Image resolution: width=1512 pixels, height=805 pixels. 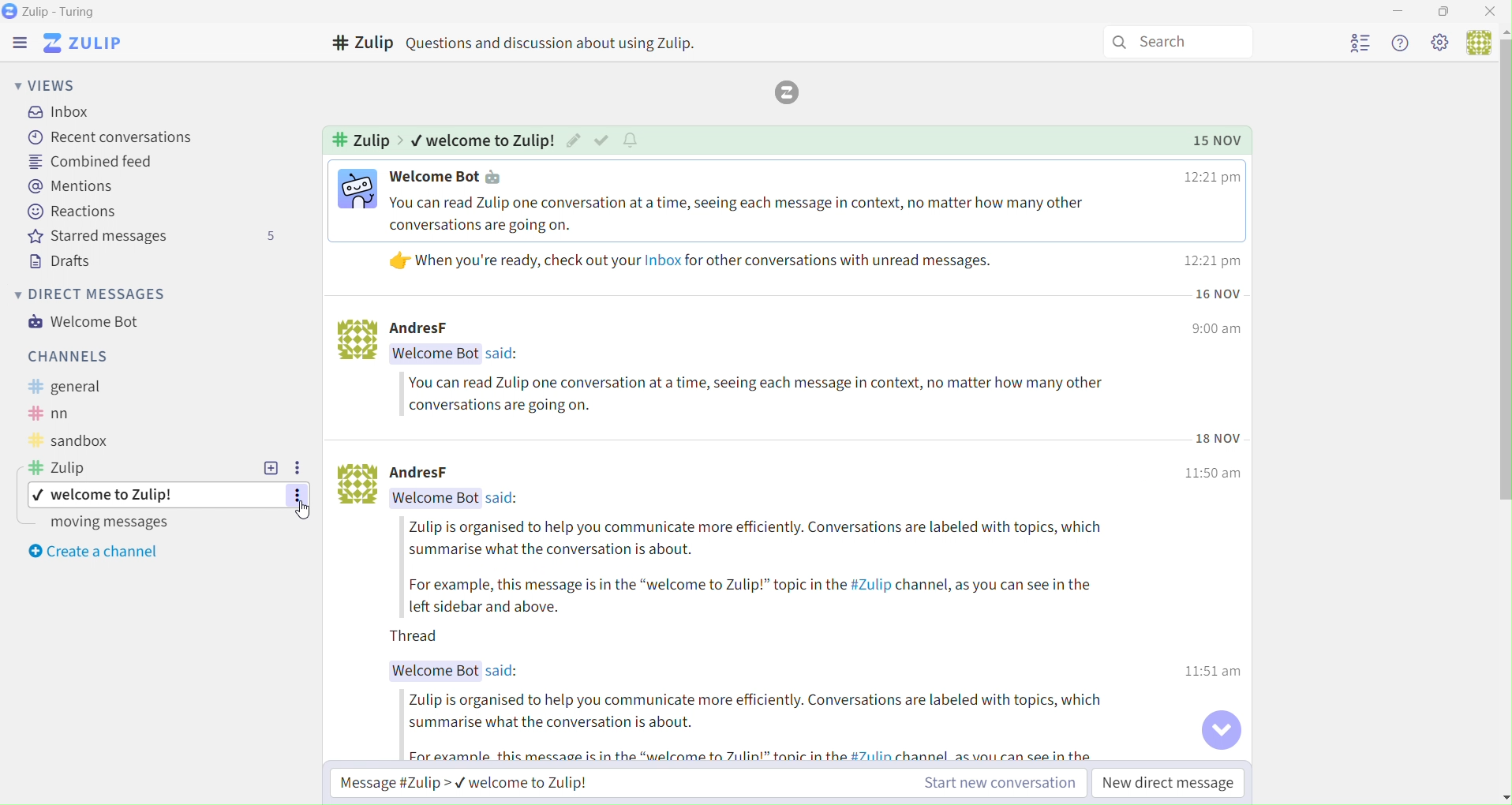 What do you see at coordinates (1218, 295) in the screenshot?
I see `Time` at bounding box center [1218, 295].